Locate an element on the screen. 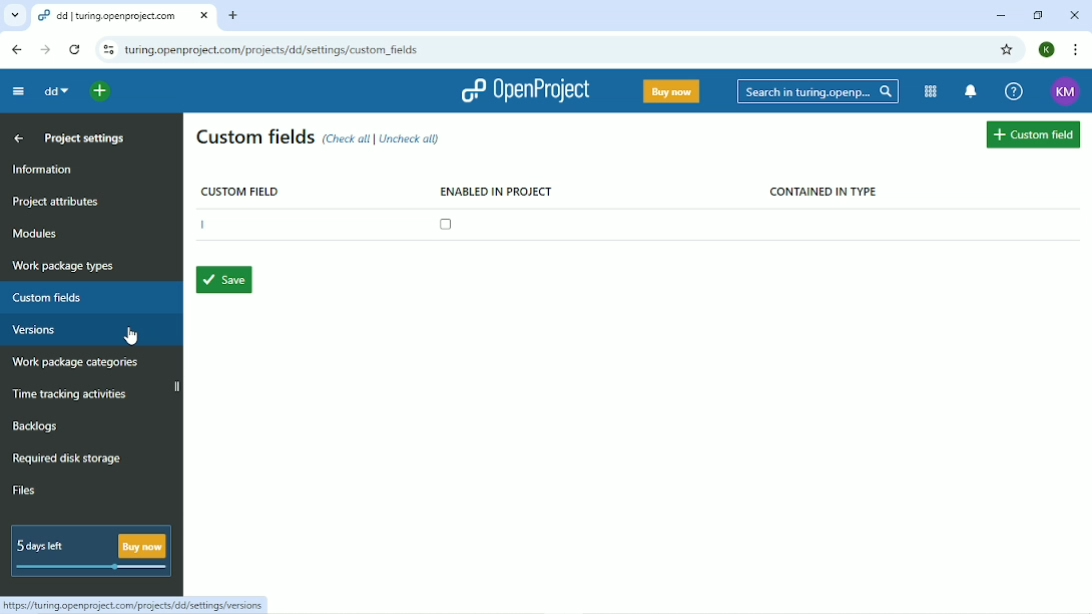 The height and width of the screenshot is (614, 1092). Site is located at coordinates (277, 49).